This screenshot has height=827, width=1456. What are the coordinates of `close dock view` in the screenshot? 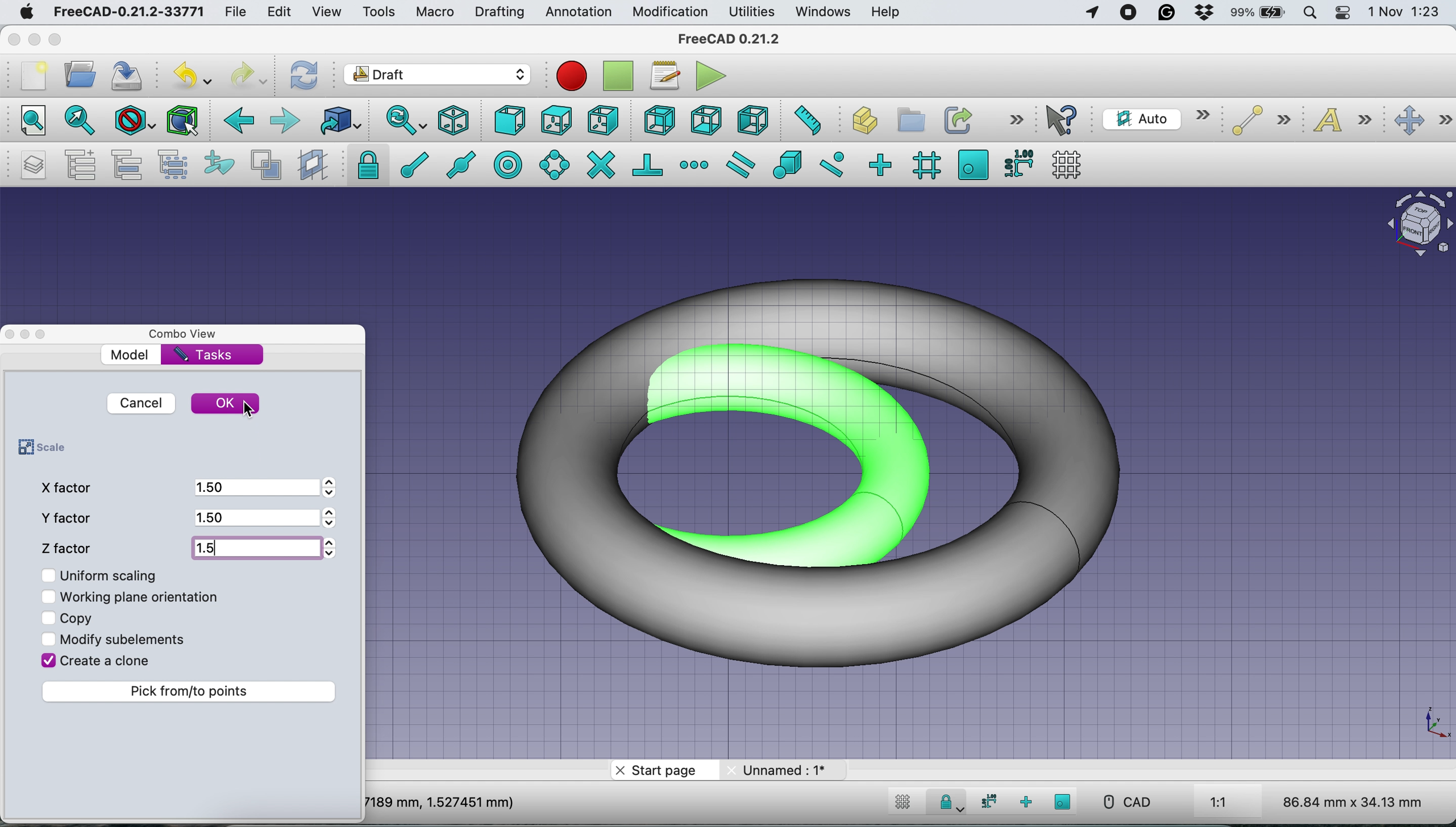 It's located at (9, 335).